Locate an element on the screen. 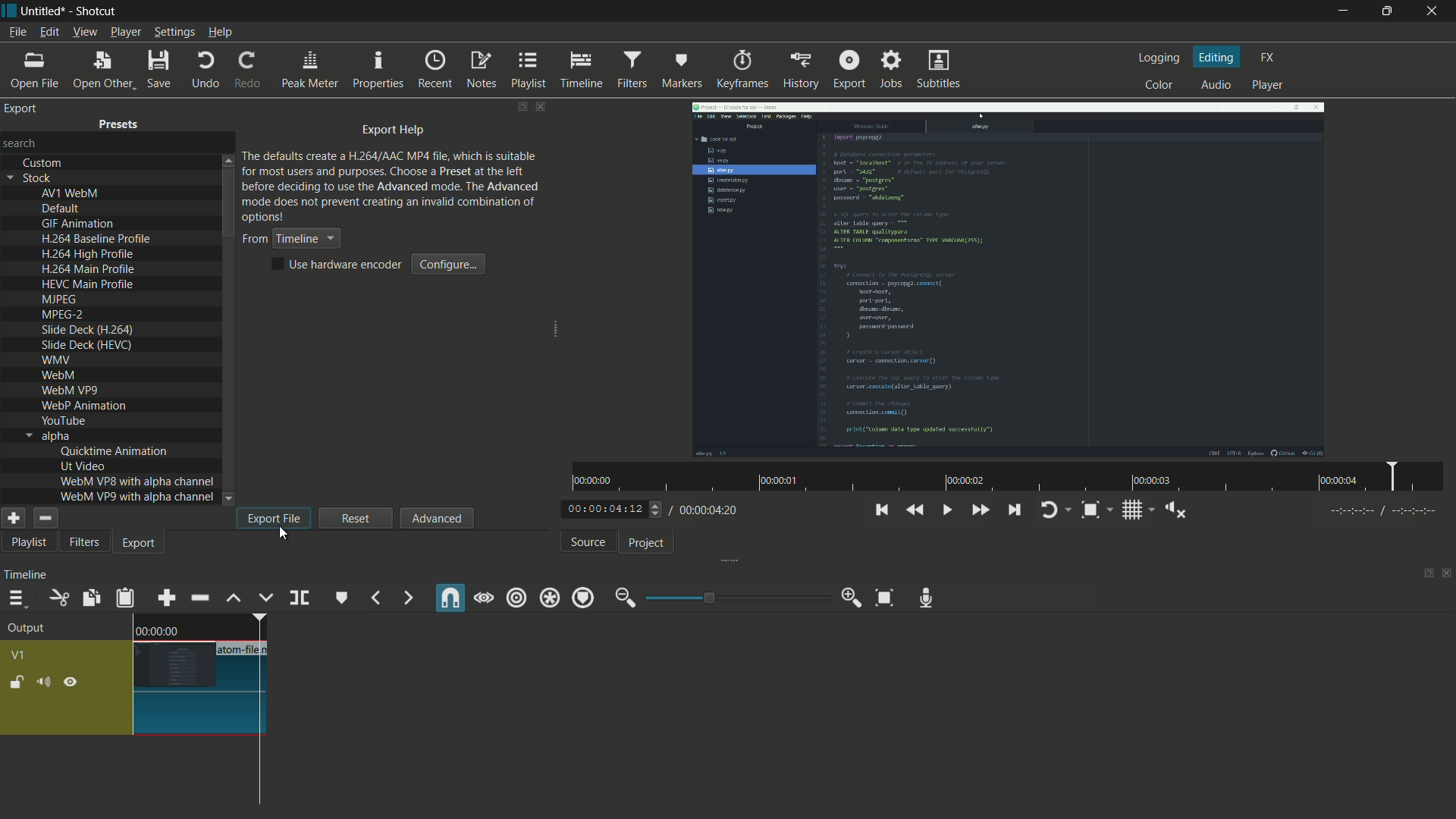  wmv is located at coordinates (55, 361).